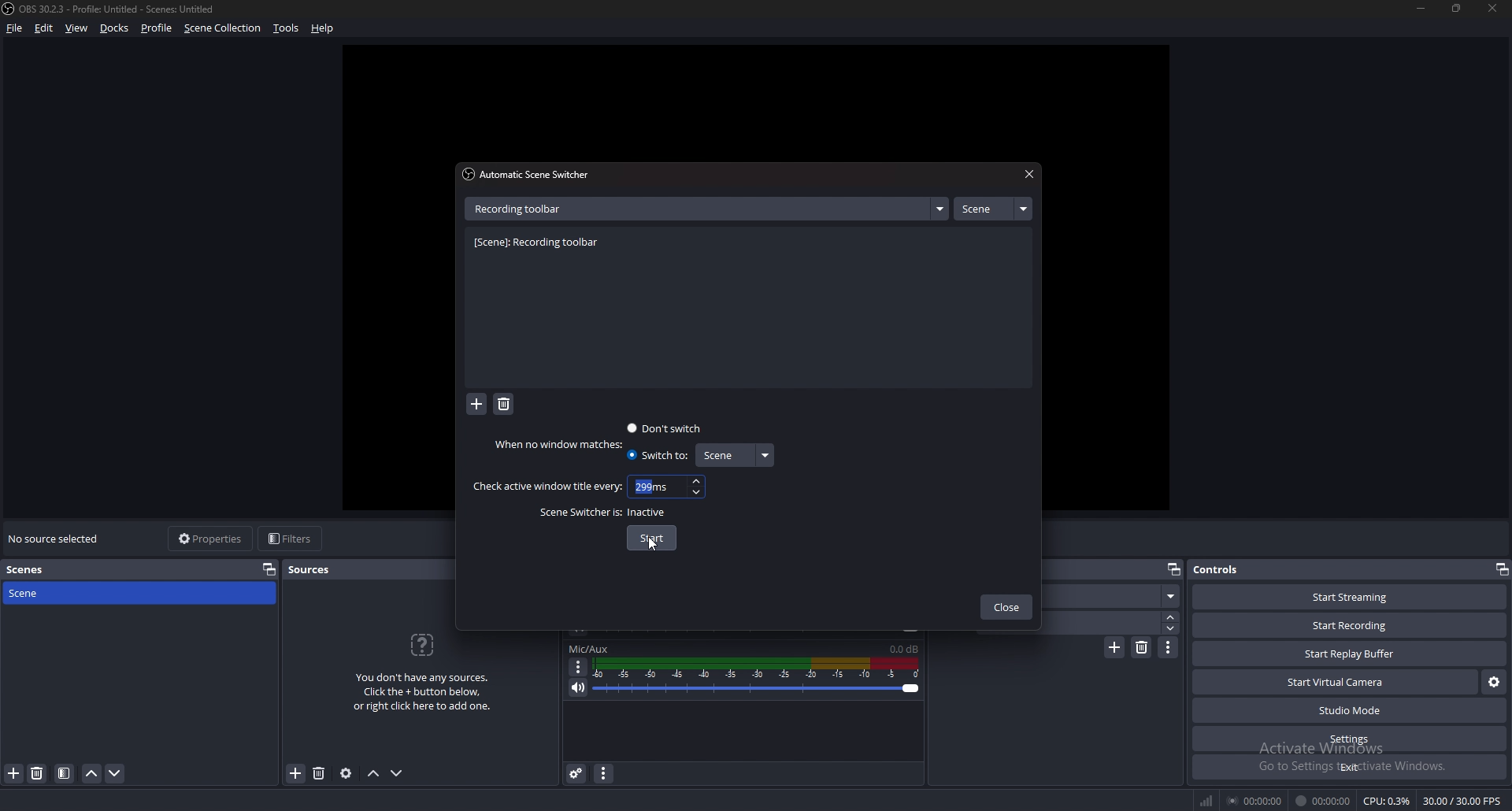 Image resolution: width=1512 pixels, height=811 pixels. What do you see at coordinates (1350, 711) in the screenshot?
I see `studio mode` at bounding box center [1350, 711].